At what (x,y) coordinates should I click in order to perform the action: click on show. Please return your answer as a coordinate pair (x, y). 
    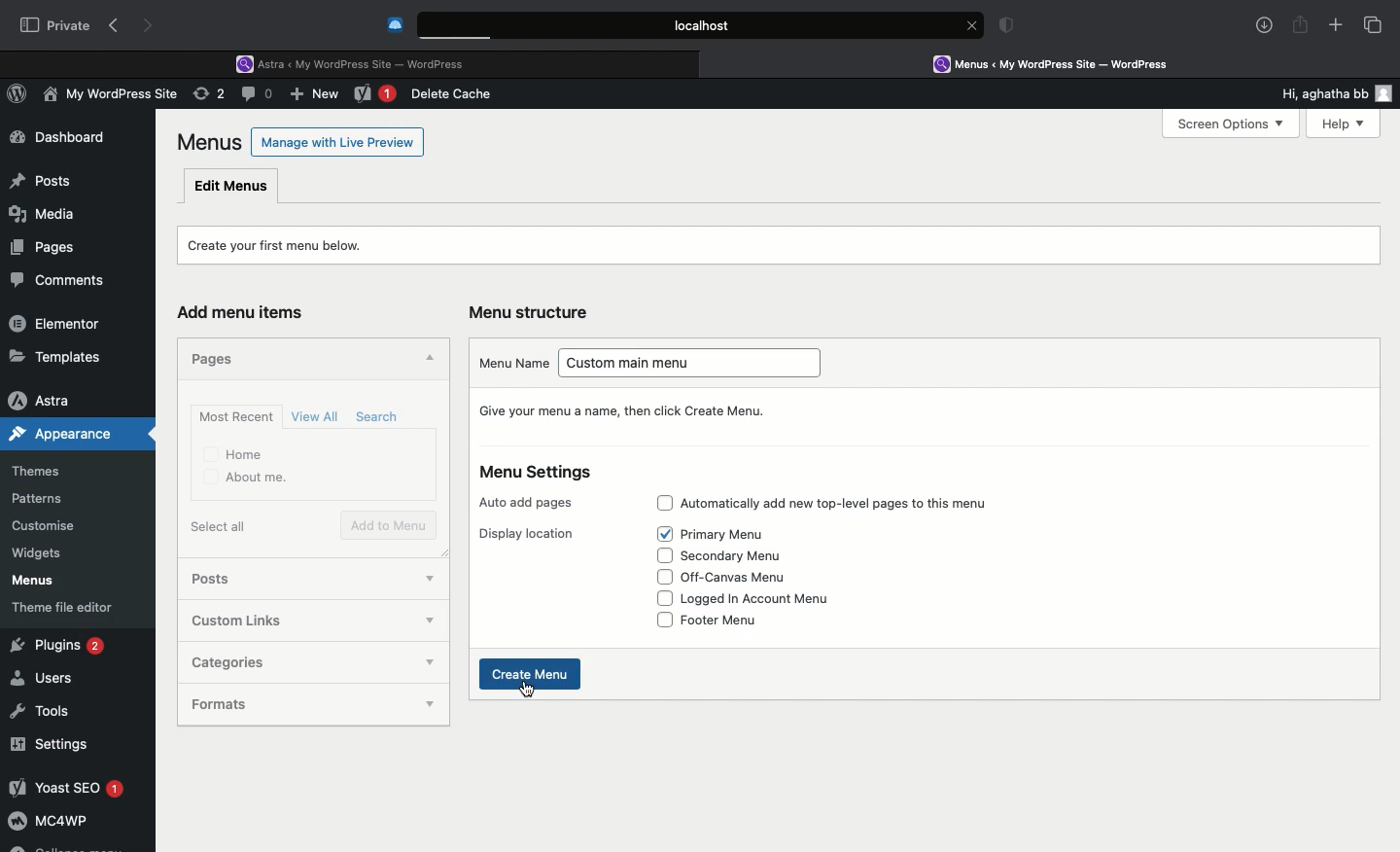
    Looking at the image, I should click on (435, 708).